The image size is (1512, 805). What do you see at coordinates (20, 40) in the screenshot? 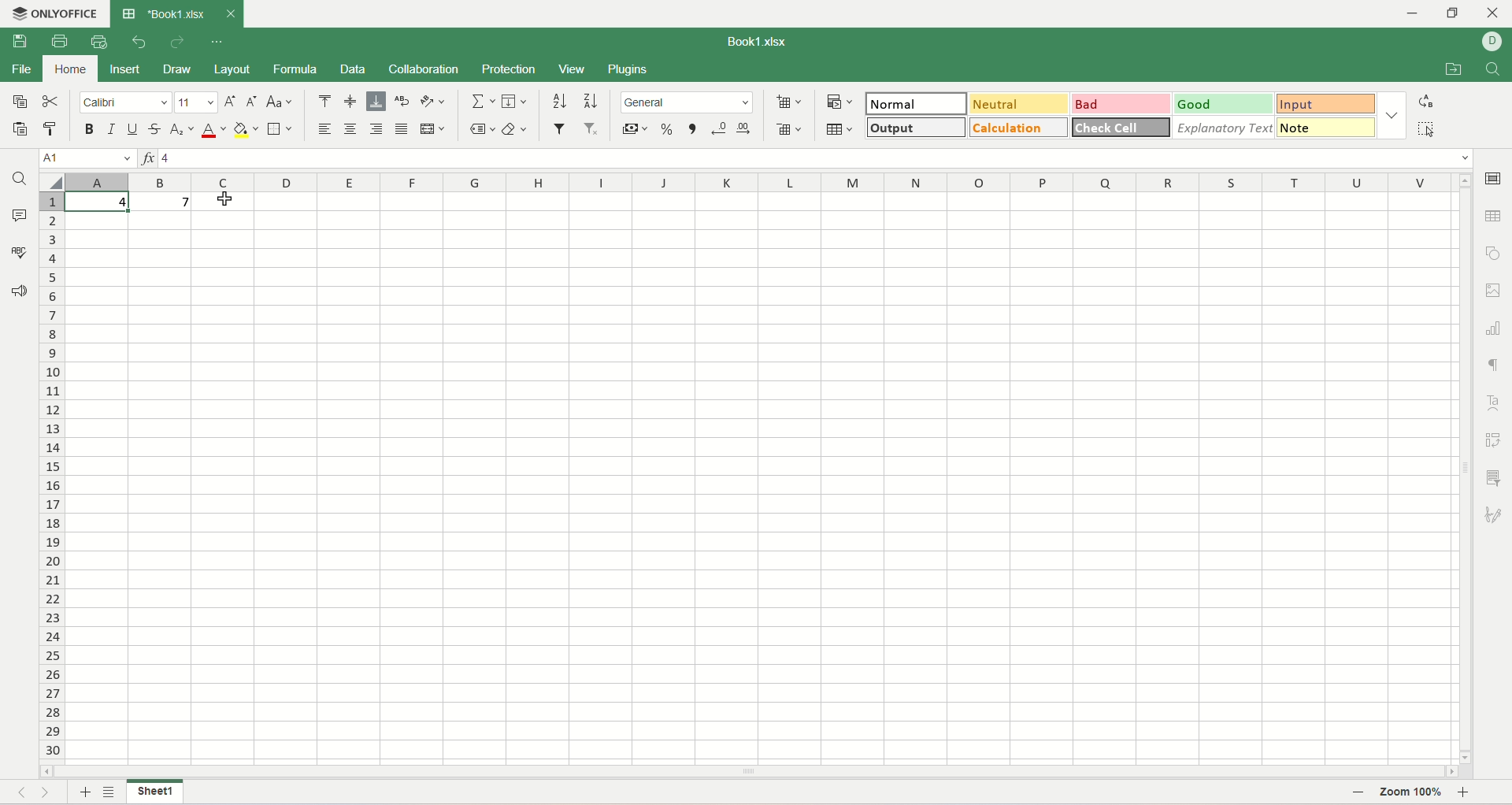
I see `save` at bounding box center [20, 40].